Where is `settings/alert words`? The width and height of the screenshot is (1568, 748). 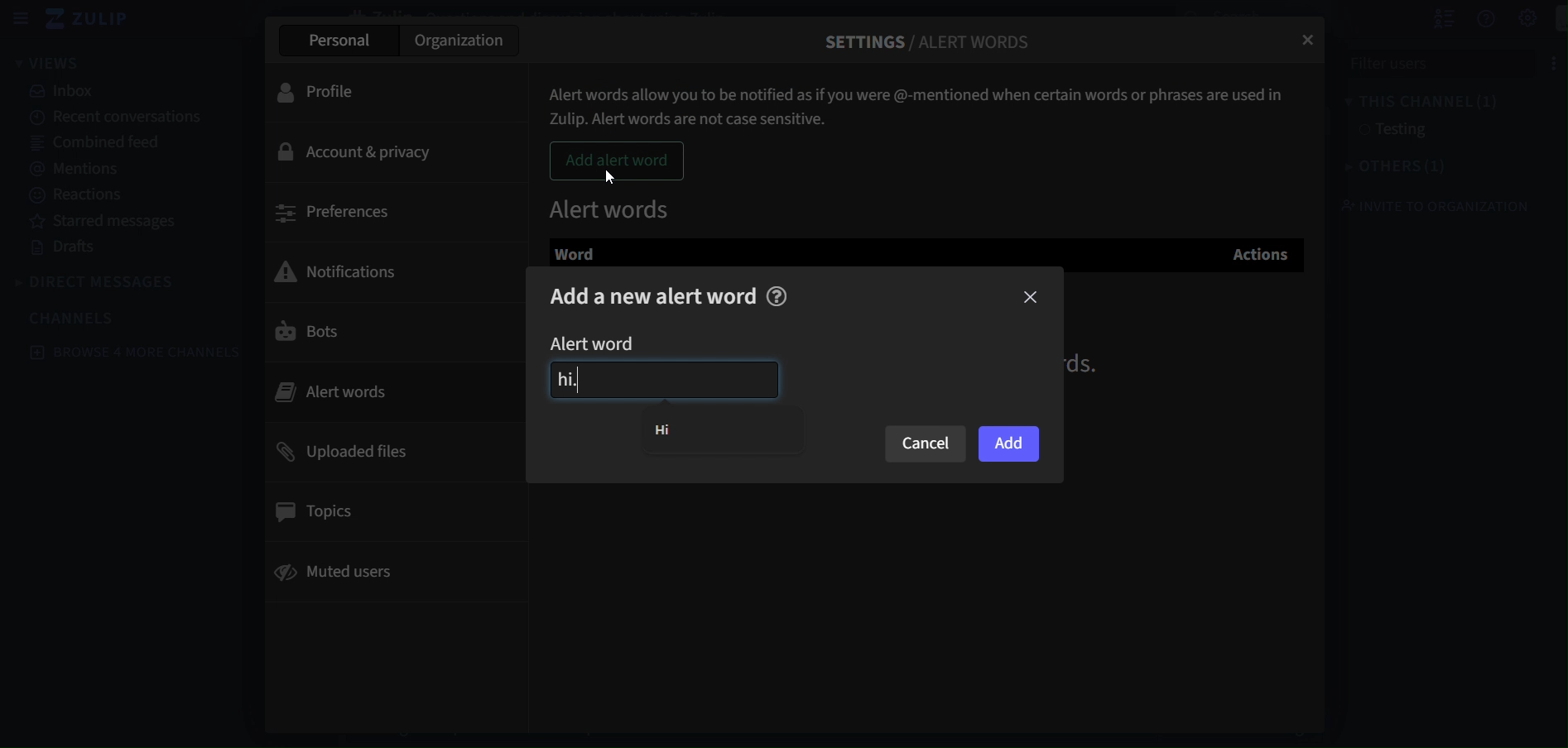 settings/alert words is located at coordinates (930, 36).